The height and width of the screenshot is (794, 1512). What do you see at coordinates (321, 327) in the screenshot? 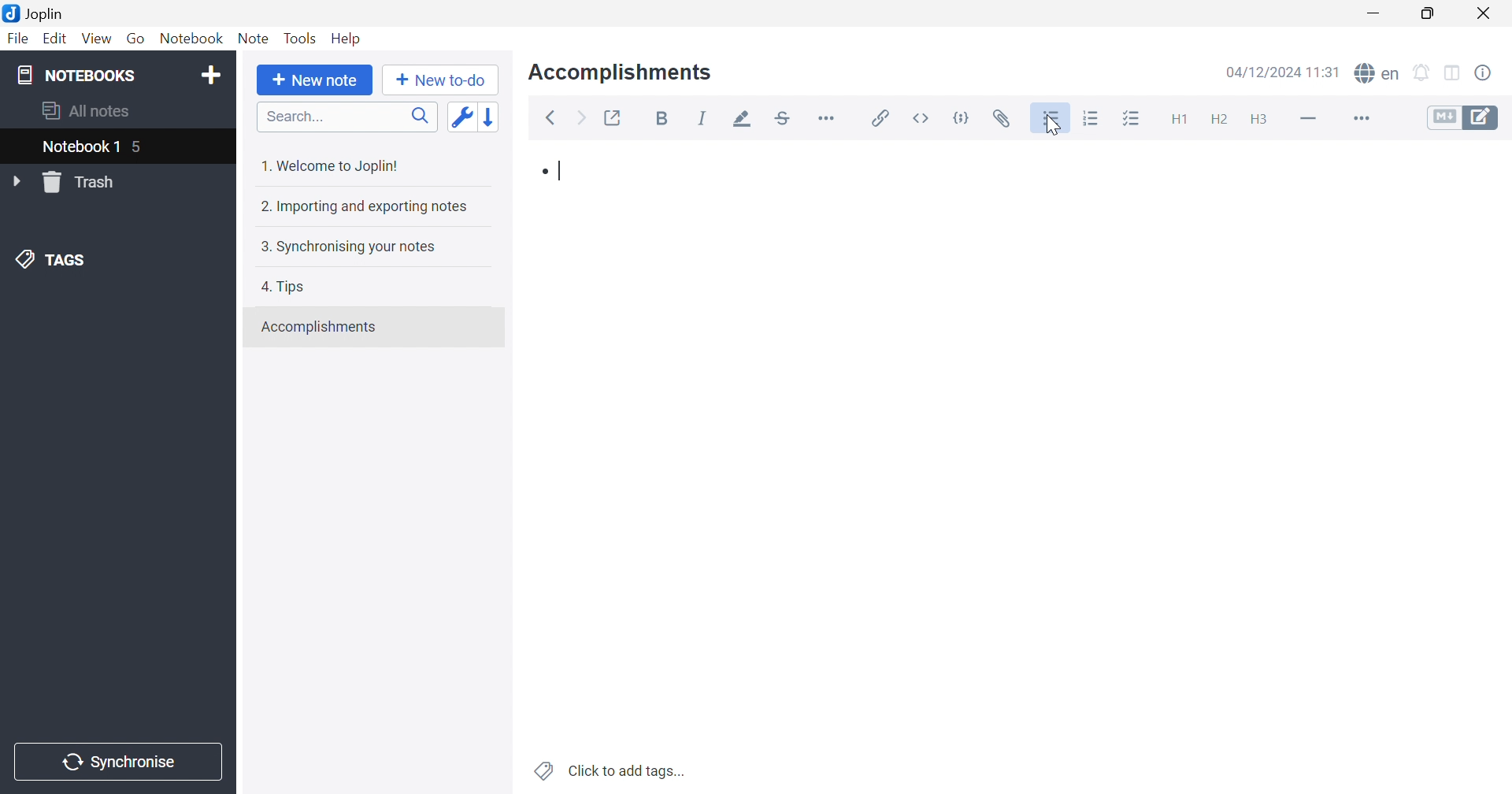
I see `Accomplishments` at bounding box center [321, 327].